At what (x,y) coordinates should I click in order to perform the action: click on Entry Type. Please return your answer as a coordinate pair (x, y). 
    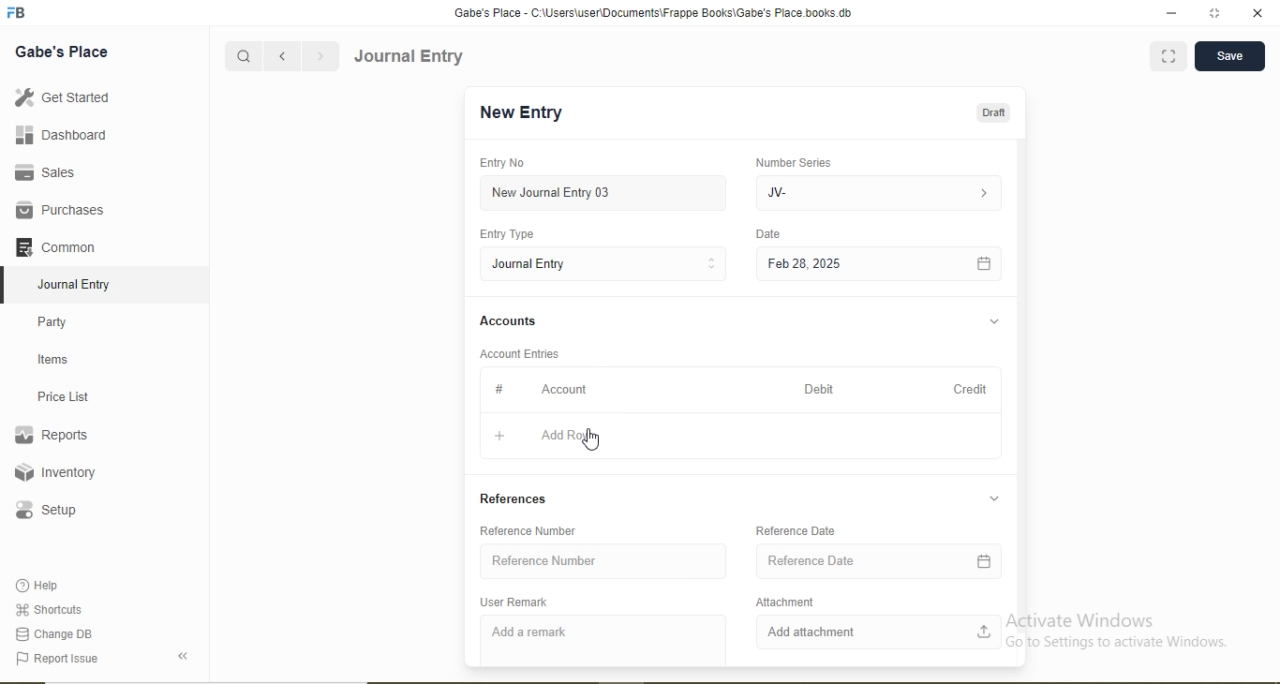
    Looking at the image, I should click on (505, 234).